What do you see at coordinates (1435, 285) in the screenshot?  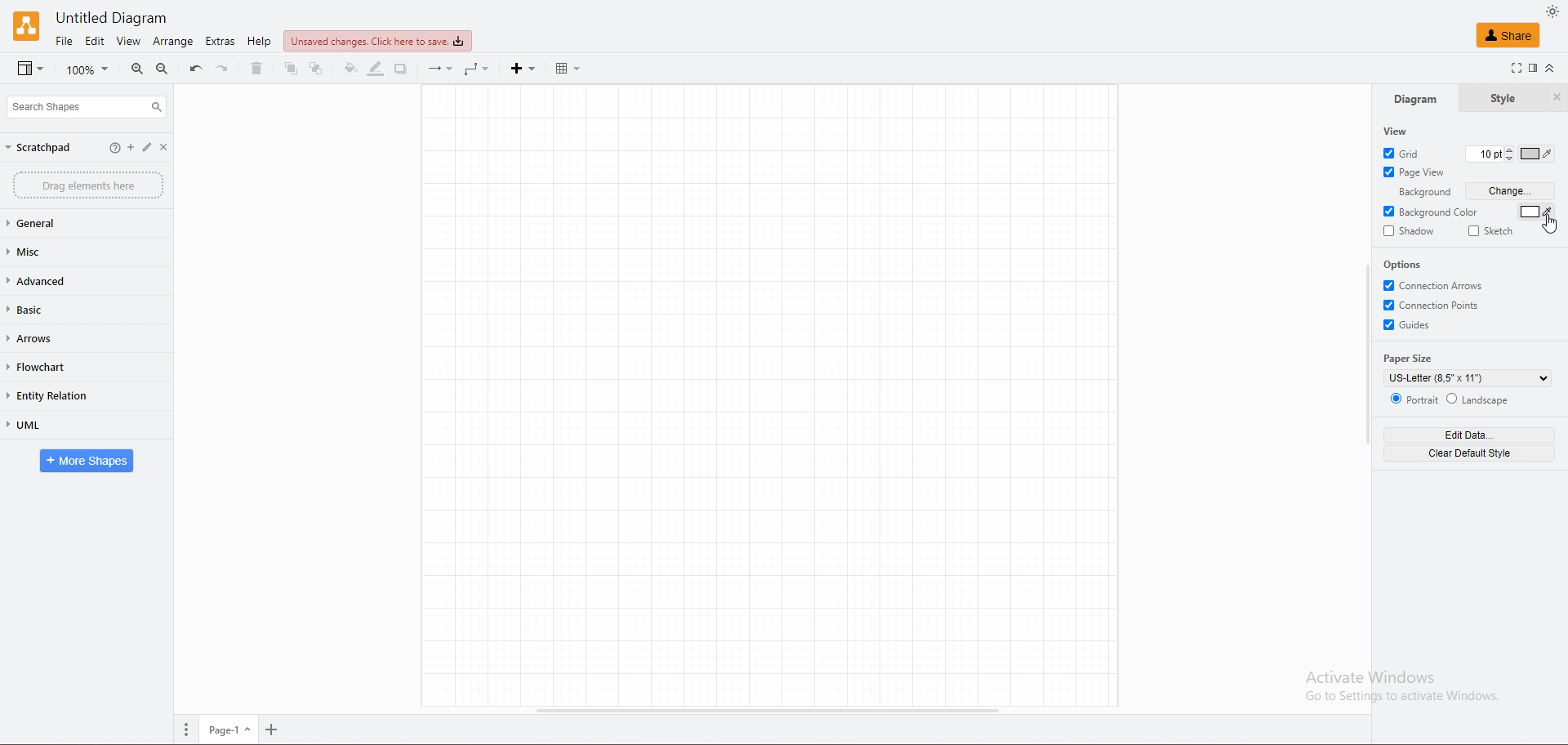 I see `connection arrows` at bounding box center [1435, 285].